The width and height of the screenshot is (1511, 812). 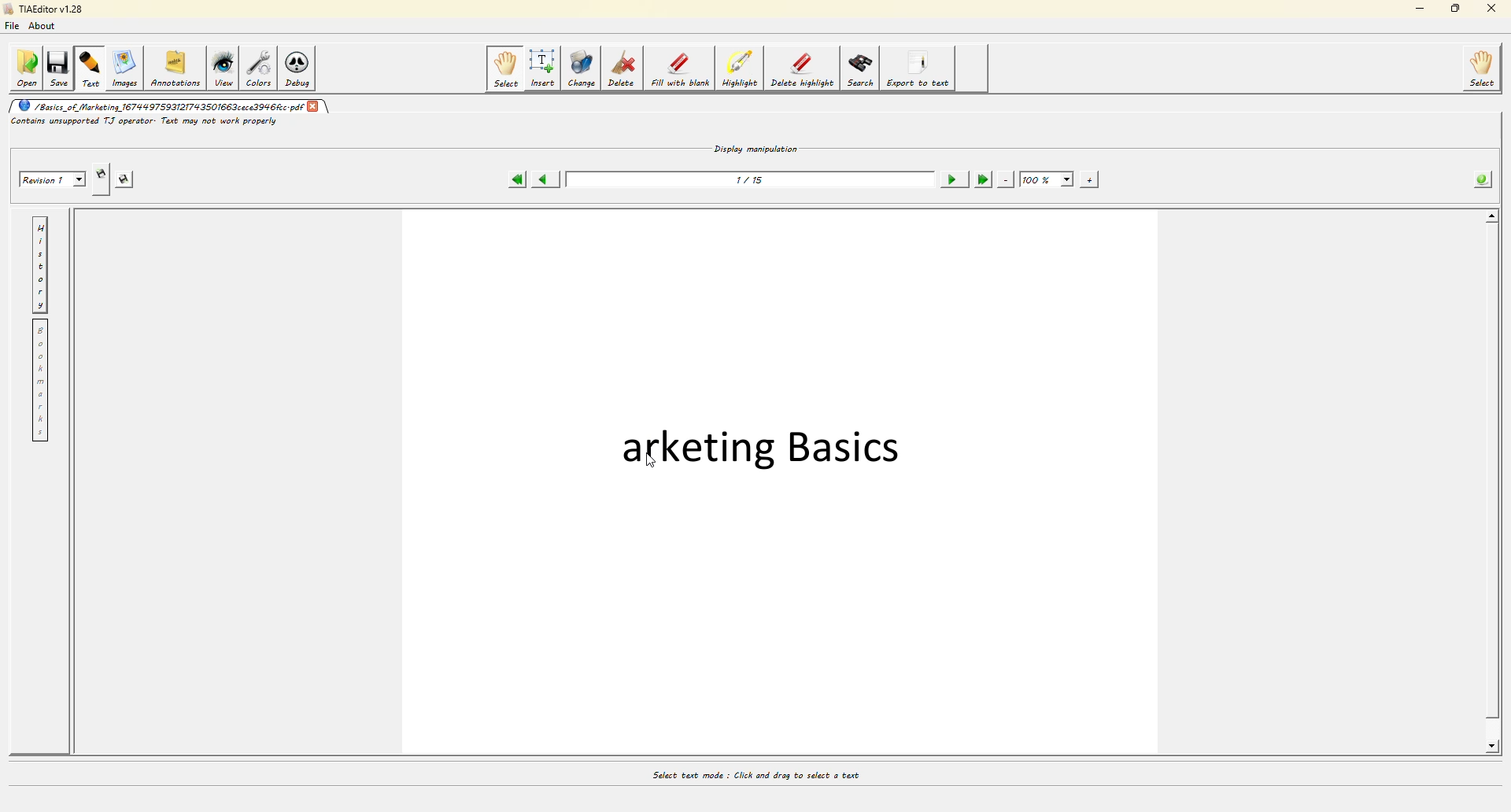 I want to click on creates new revisio, so click(x=102, y=169).